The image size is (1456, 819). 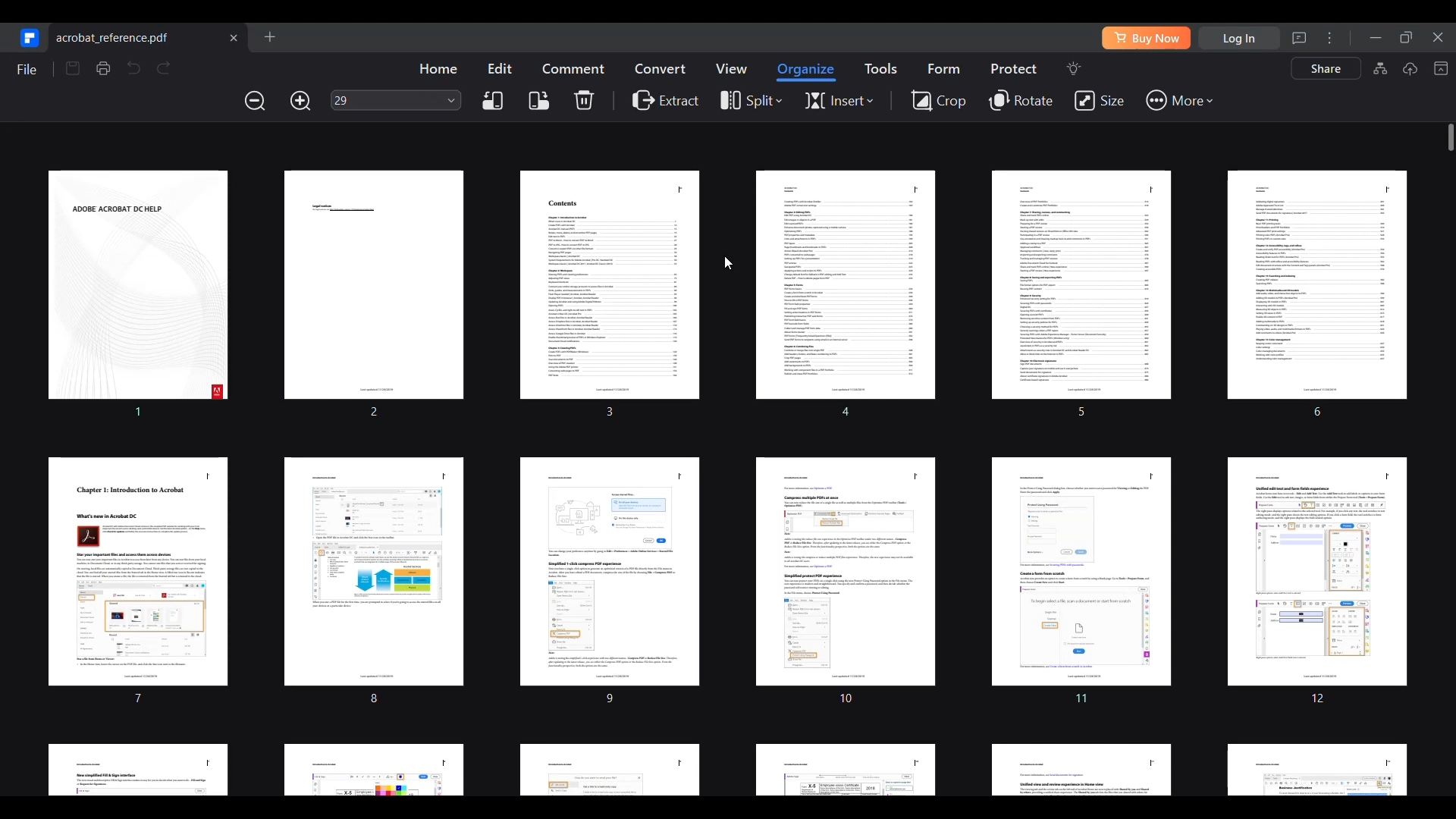 I want to click on Protect, so click(x=1013, y=68).